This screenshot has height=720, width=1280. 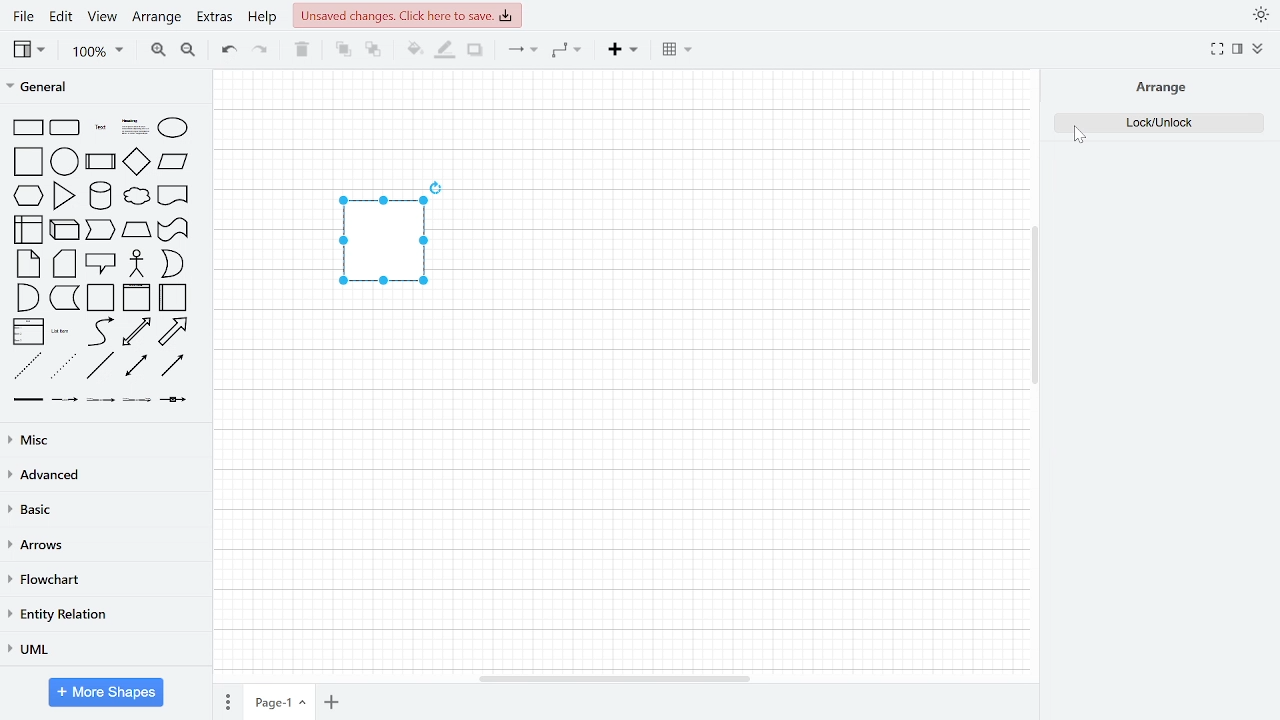 What do you see at coordinates (100, 229) in the screenshot?
I see `step` at bounding box center [100, 229].